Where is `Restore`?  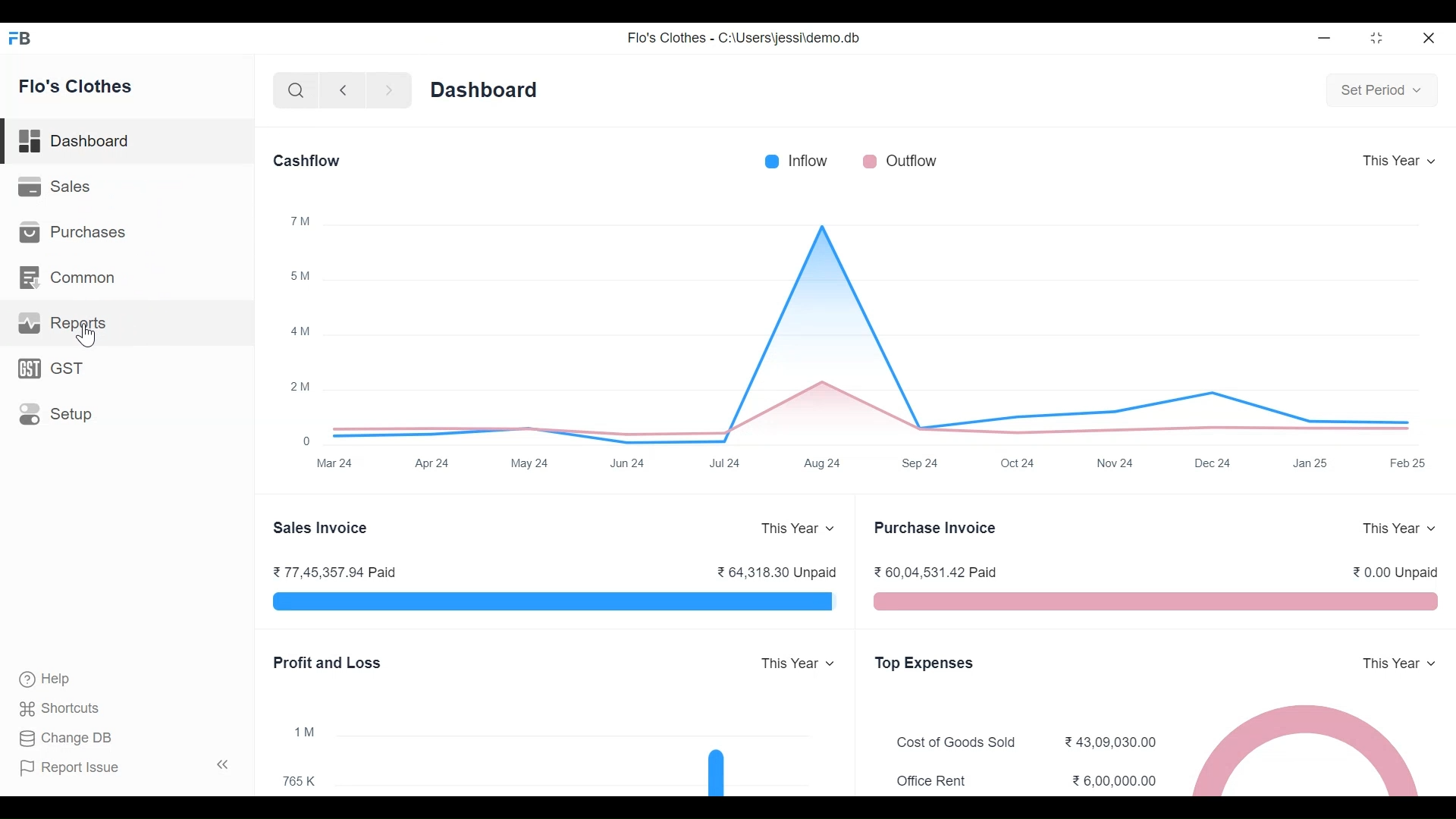 Restore is located at coordinates (1379, 37).